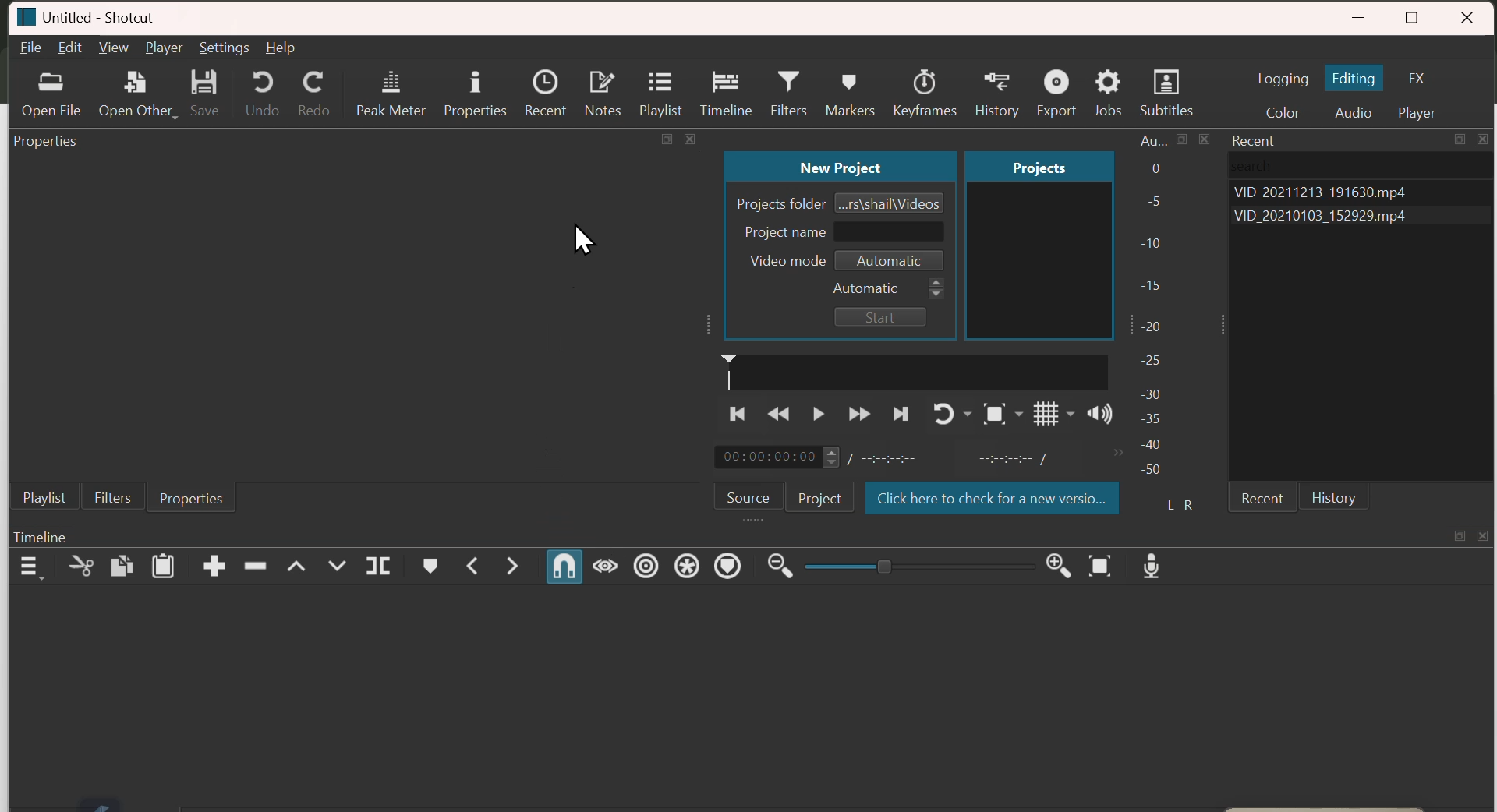 The height and width of the screenshot is (812, 1497). I want to click on Keyframes, so click(925, 85).